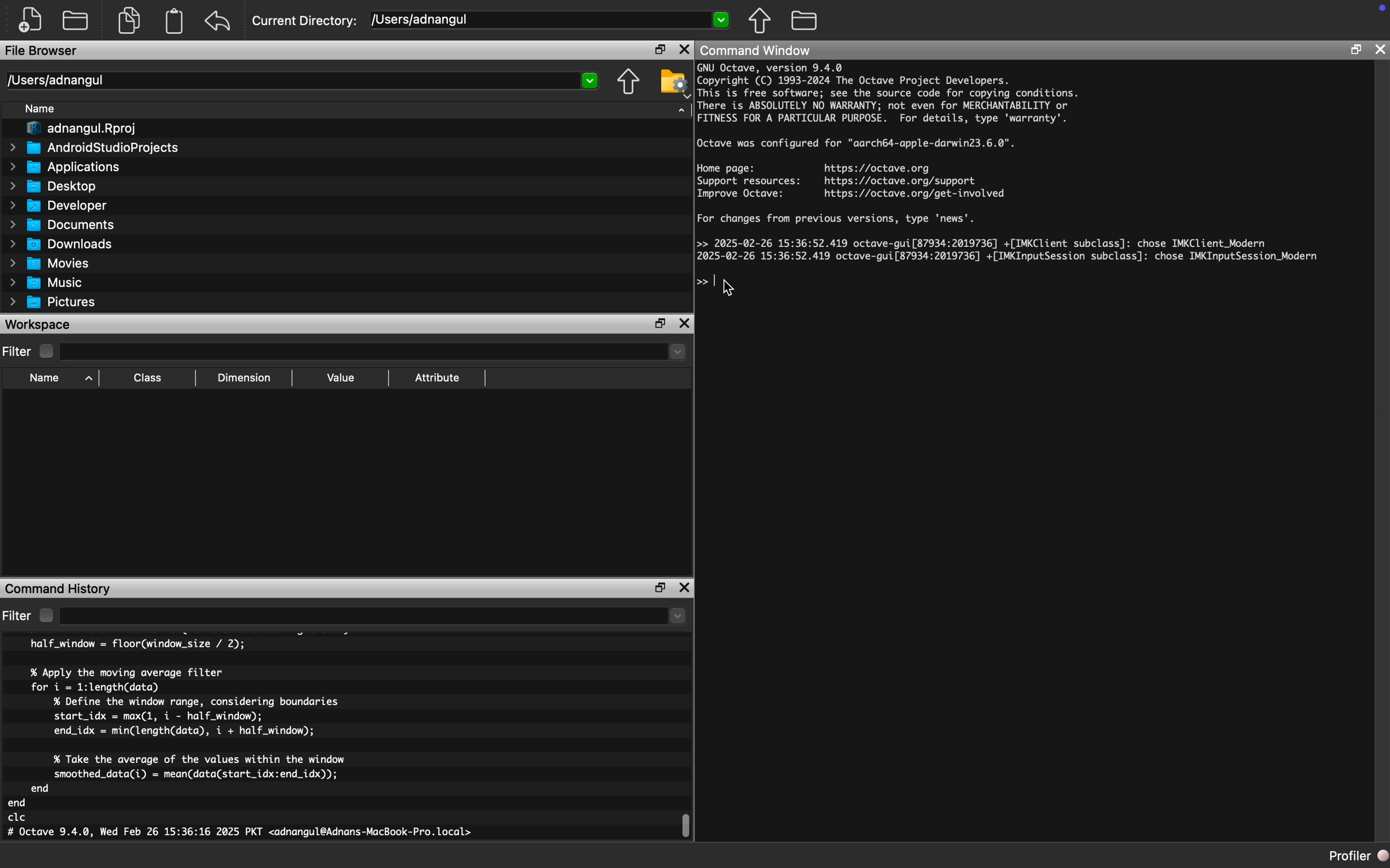 This screenshot has width=1390, height=868. I want to click on Dimension, so click(245, 378).